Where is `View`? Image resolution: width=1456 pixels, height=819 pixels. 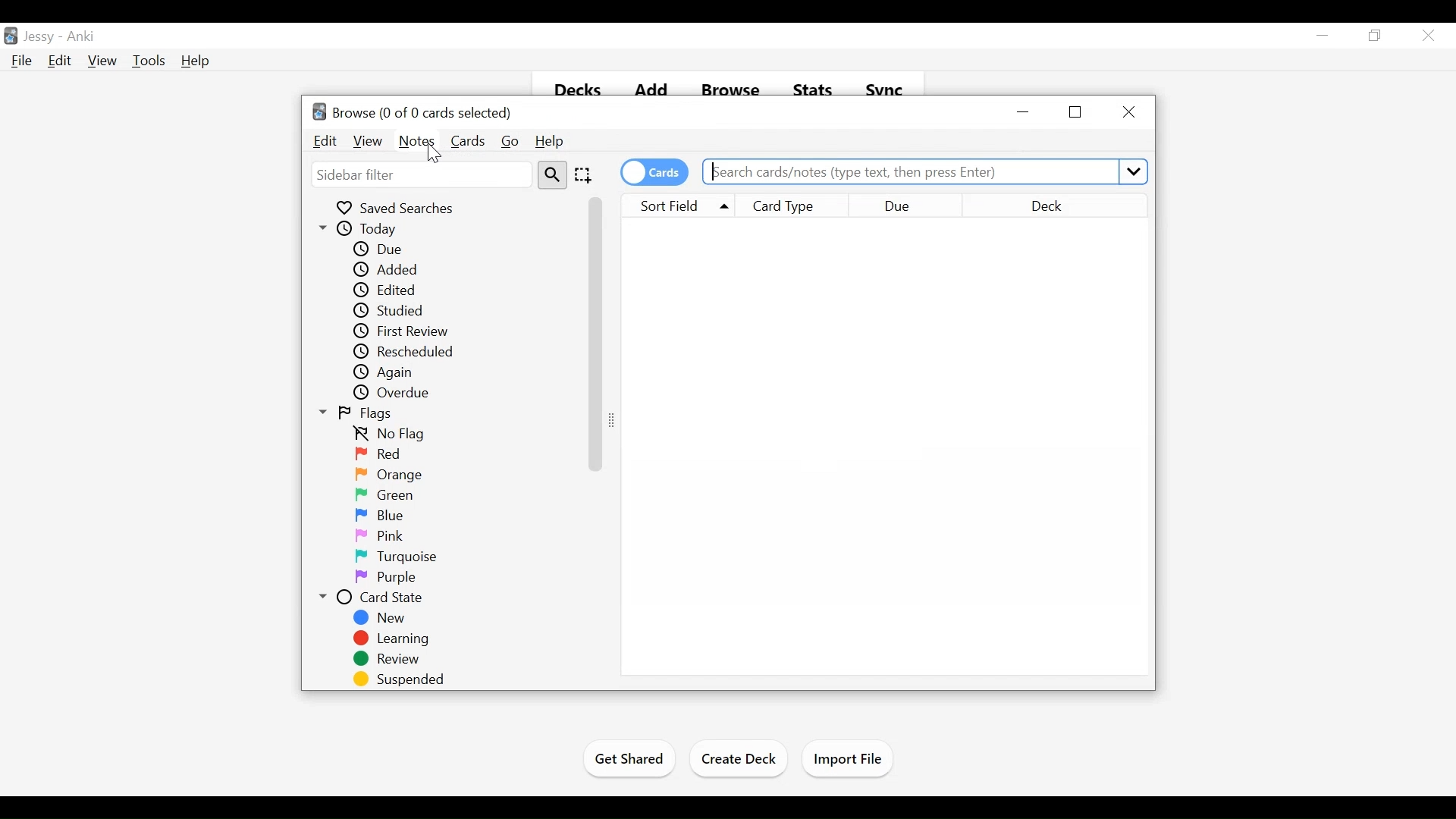
View is located at coordinates (369, 142).